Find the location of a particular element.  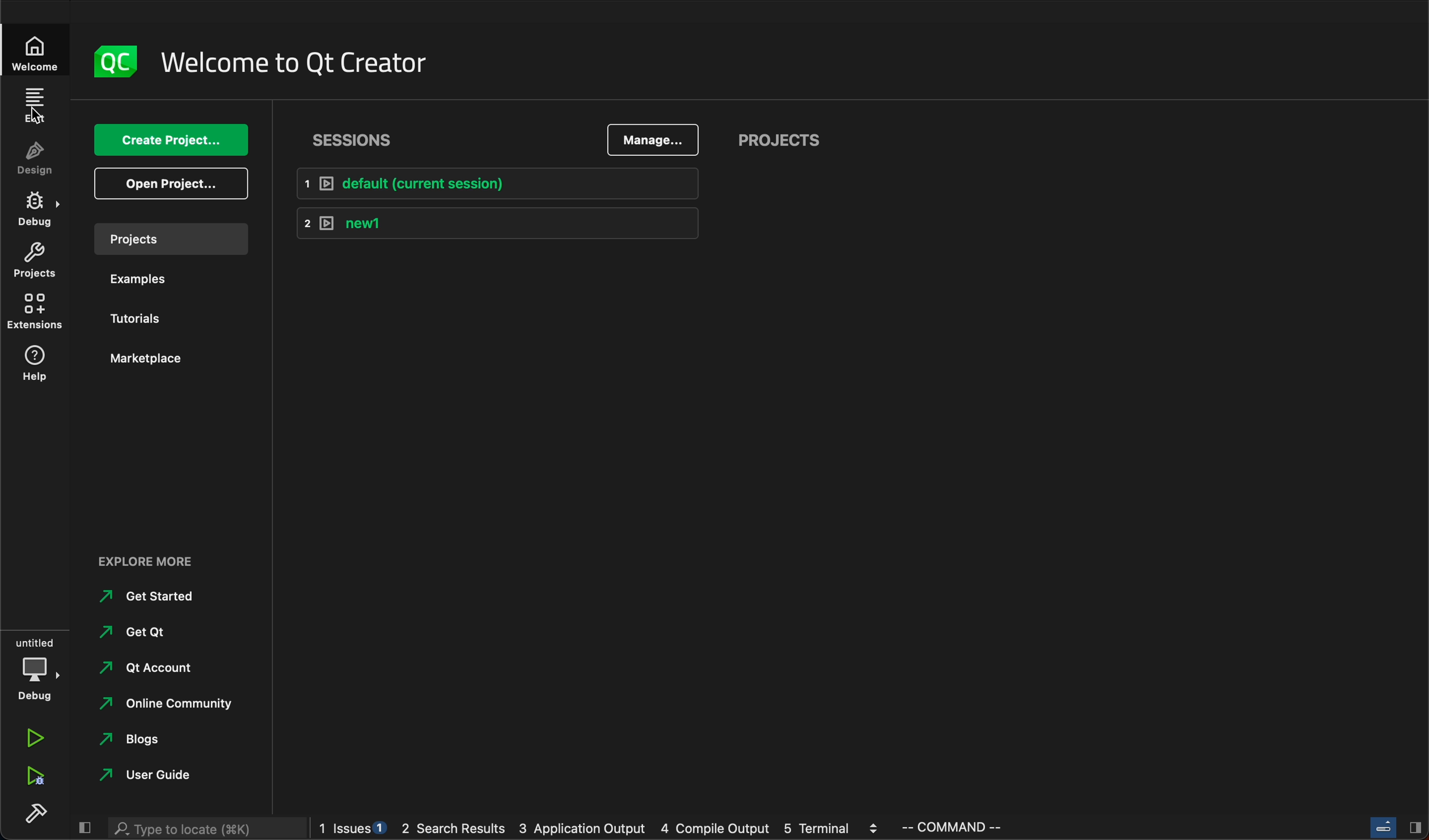

examples is located at coordinates (139, 278).